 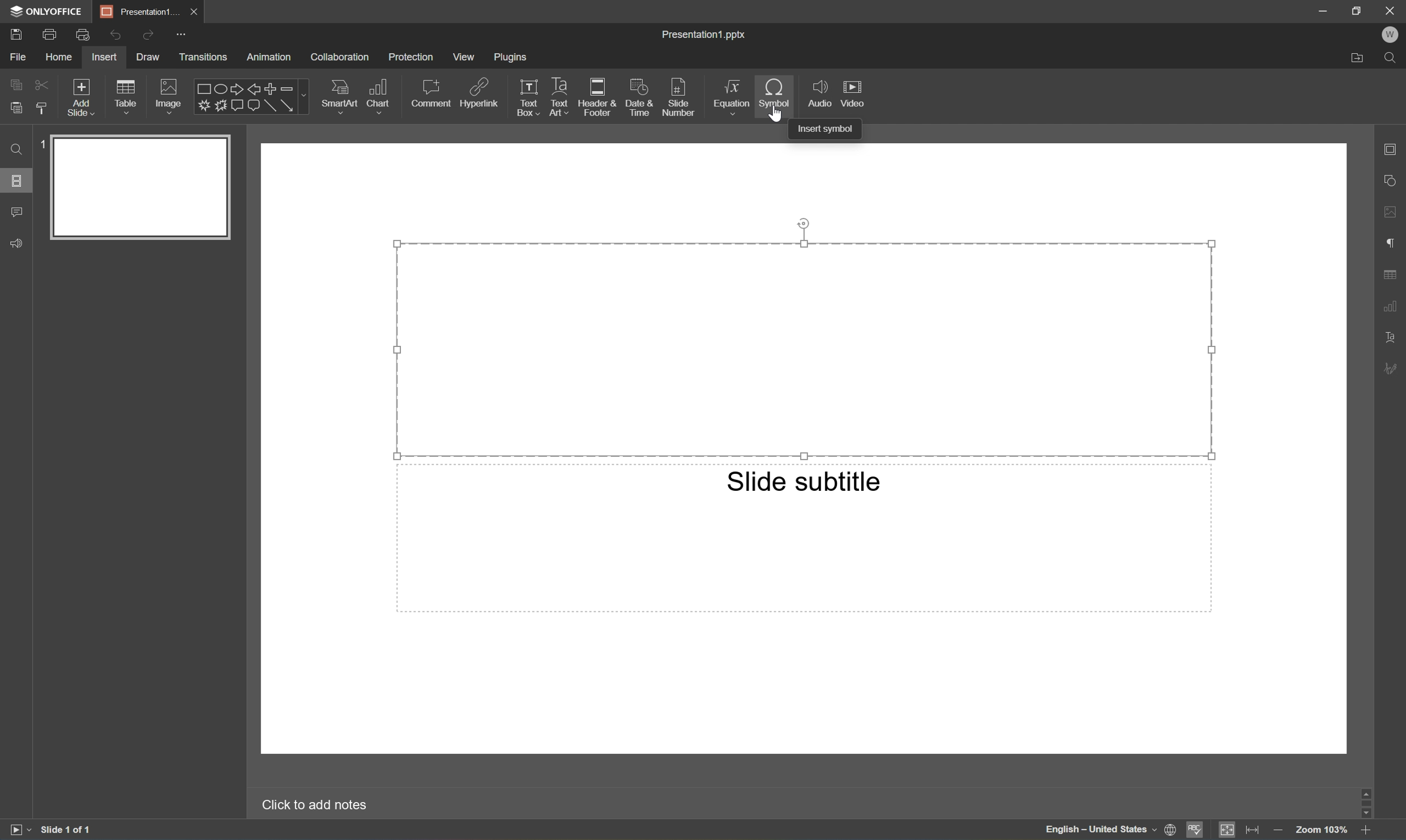 I want to click on Slide number, so click(x=678, y=95).